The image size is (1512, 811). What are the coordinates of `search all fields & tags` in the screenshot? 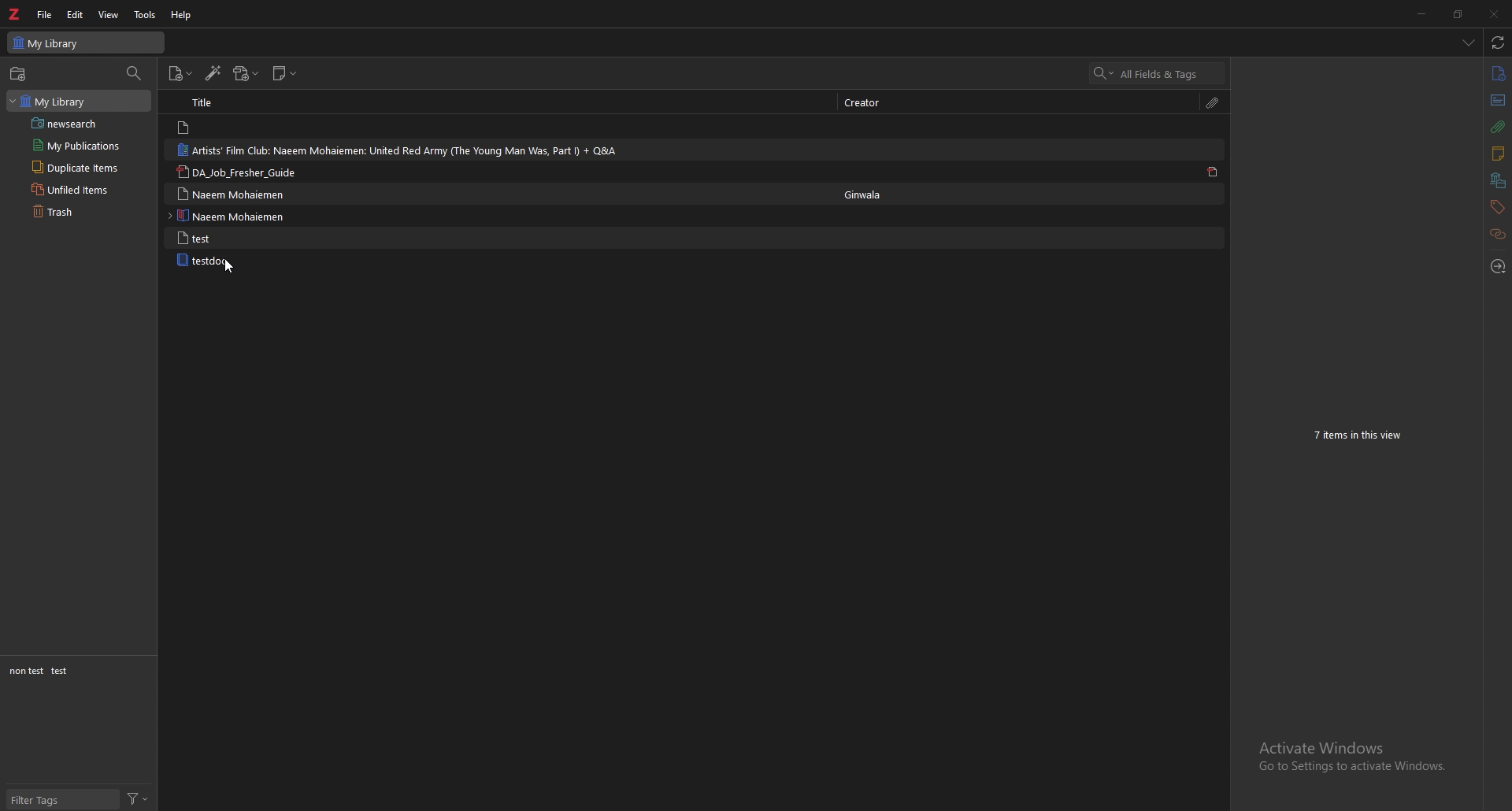 It's located at (1158, 73).